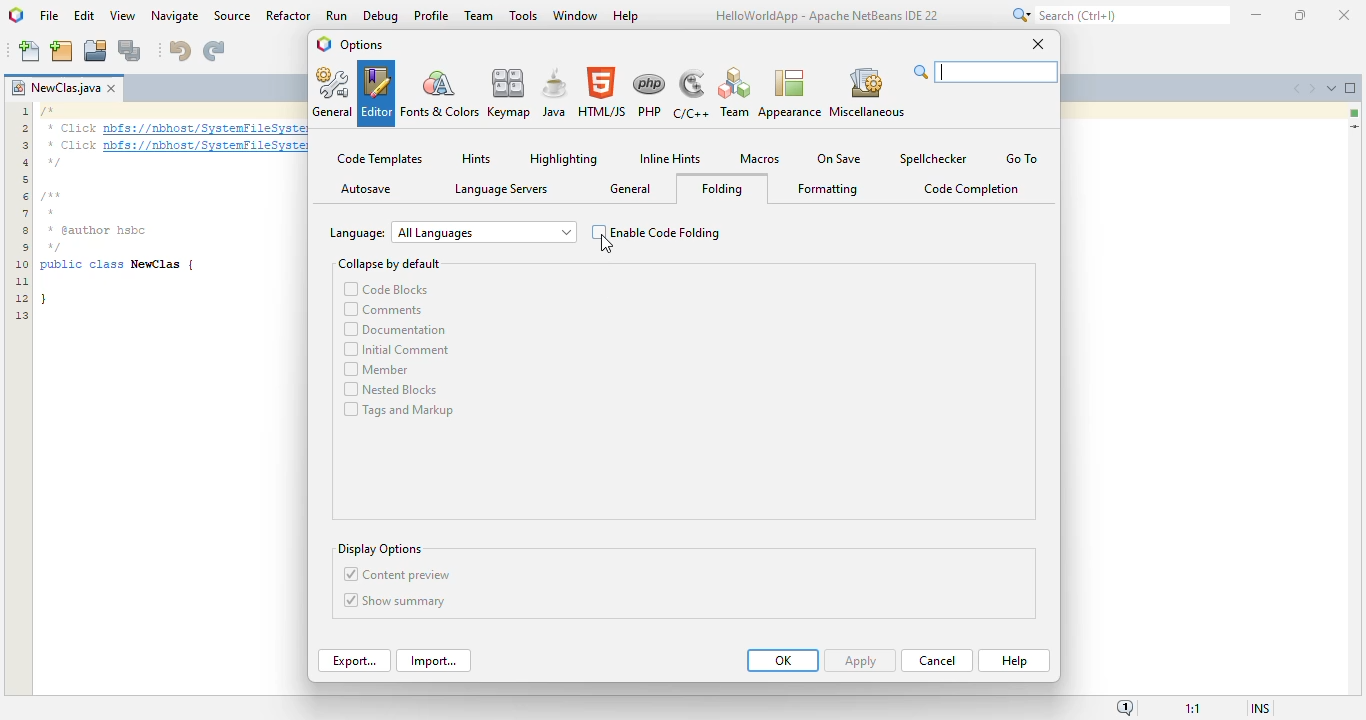 The height and width of the screenshot is (720, 1366). Describe the element at coordinates (867, 92) in the screenshot. I see `miscellaneous` at that location.